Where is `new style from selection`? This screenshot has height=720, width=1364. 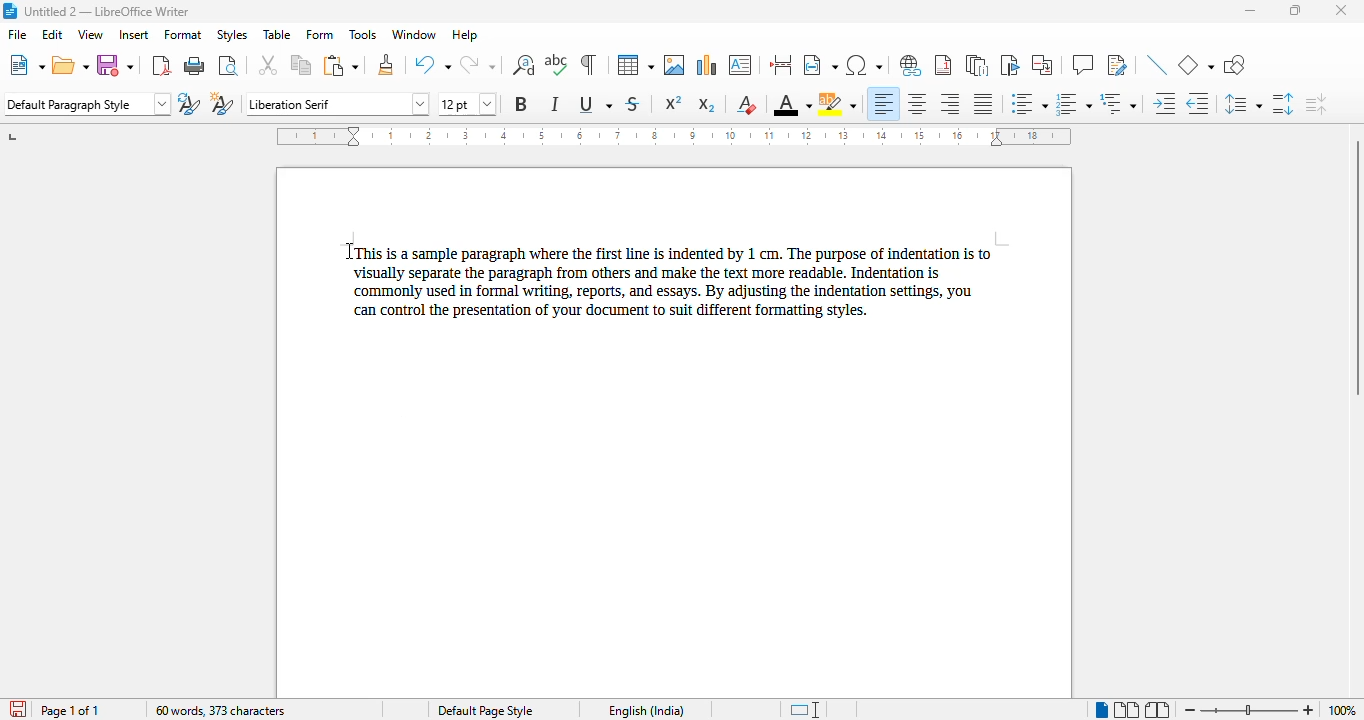
new style from selection is located at coordinates (223, 103).